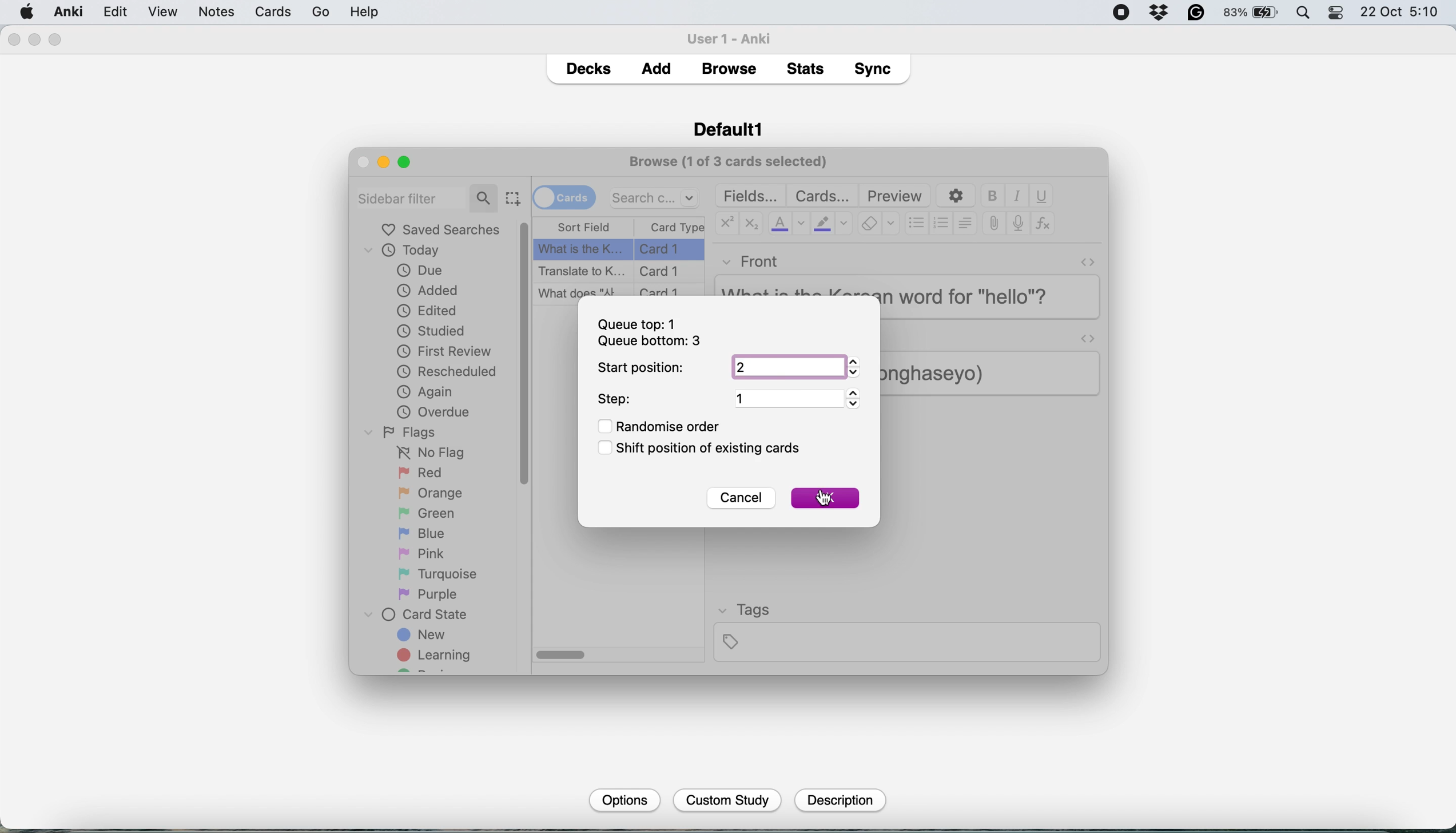  Describe the element at coordinates (906, 631) in the screenshot. I see `tags` at that location.